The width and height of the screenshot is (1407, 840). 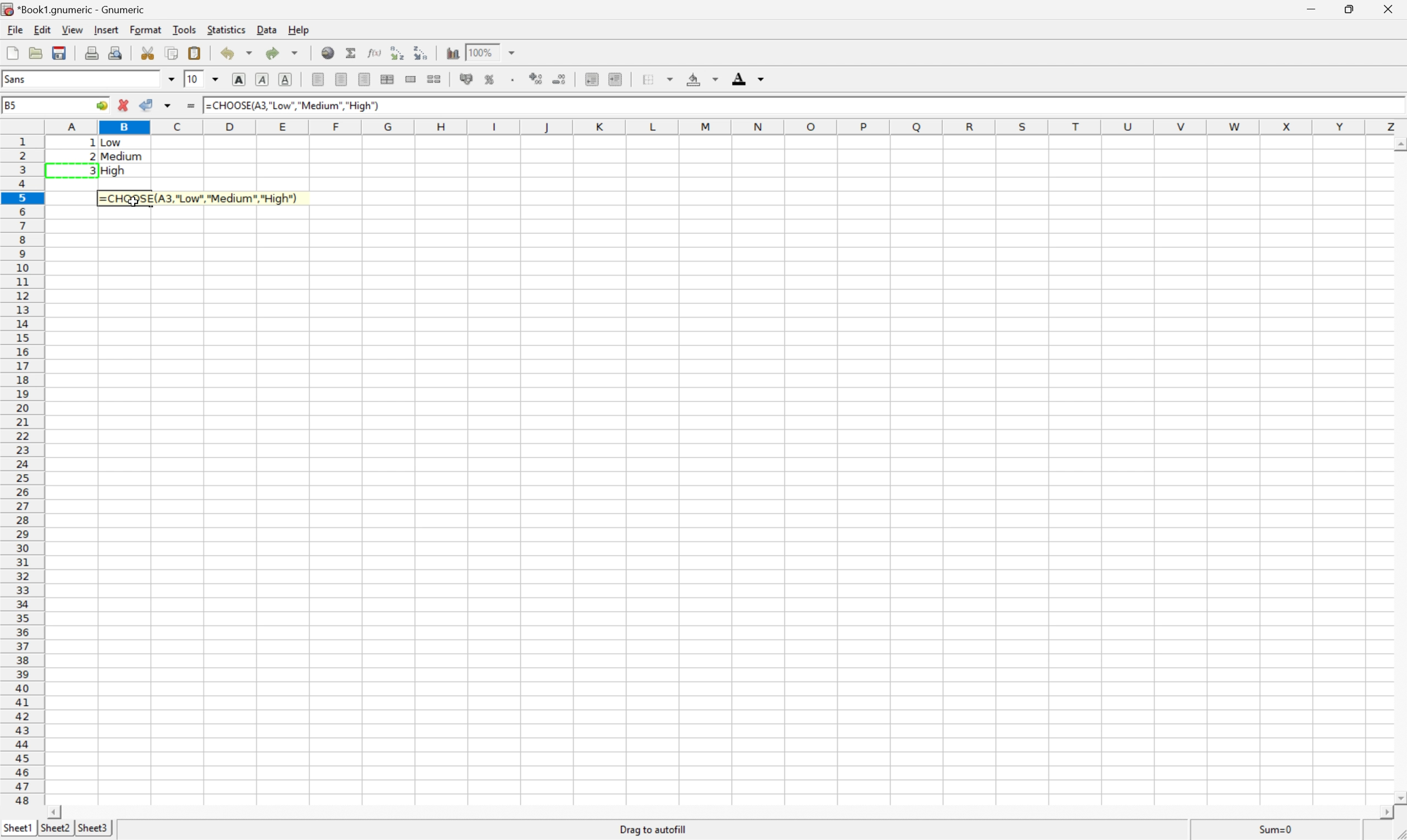 I want to click on 10, so click(x=193, y=79).